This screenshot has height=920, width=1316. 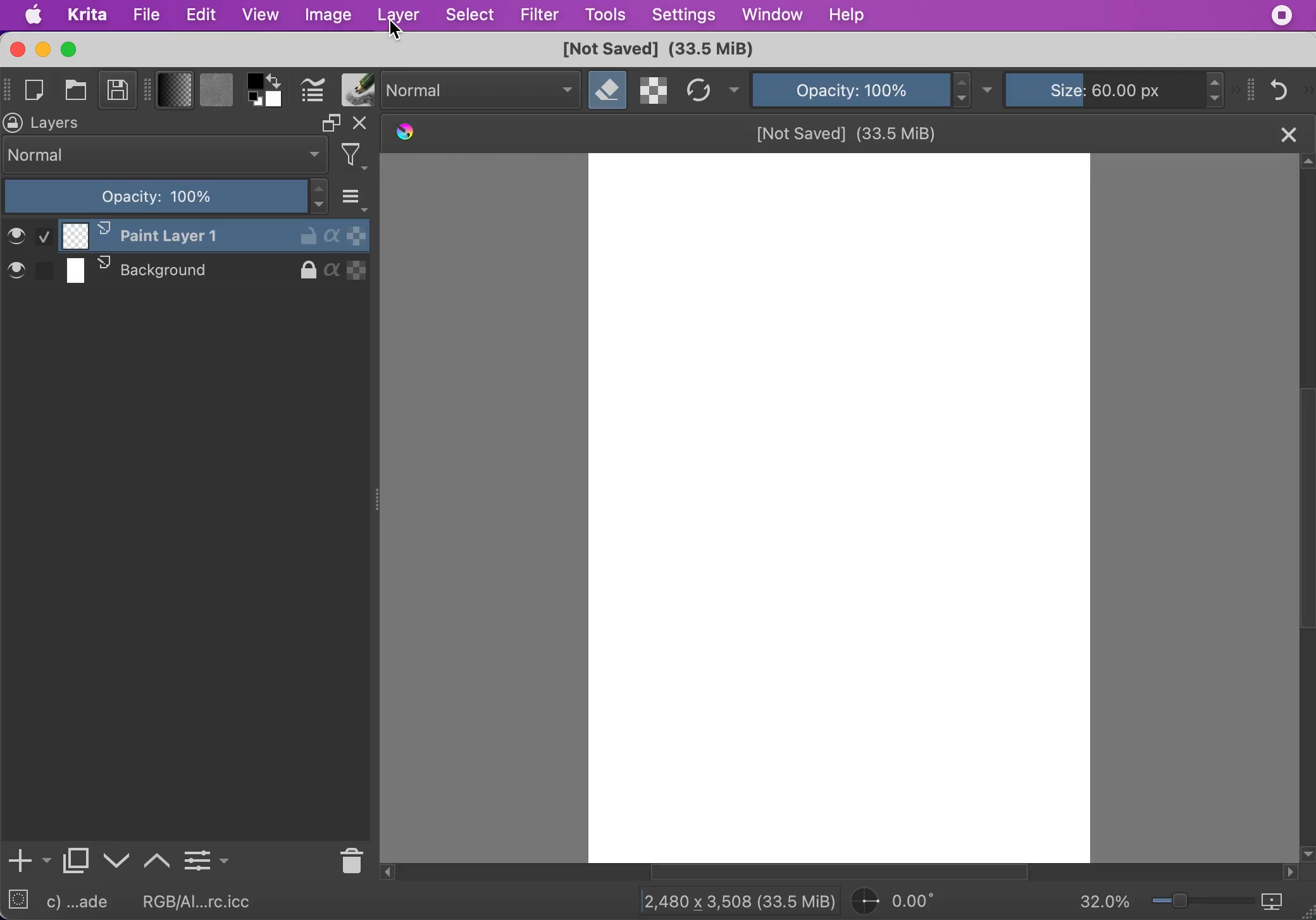 What do you see at coordinates (278, 80) in the screenshot?
I see `swap foreground and background colors` at bounding box center [278, 80].